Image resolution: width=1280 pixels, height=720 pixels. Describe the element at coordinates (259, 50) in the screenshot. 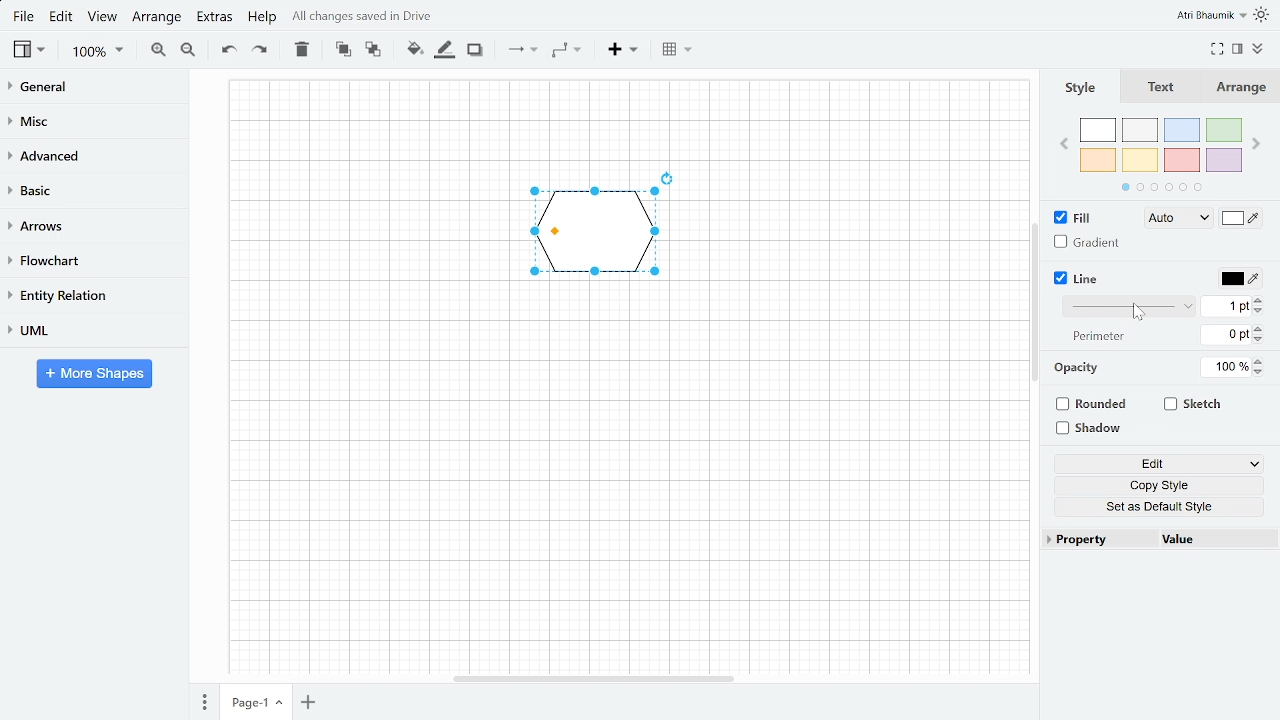

I see `Redo` at that location.